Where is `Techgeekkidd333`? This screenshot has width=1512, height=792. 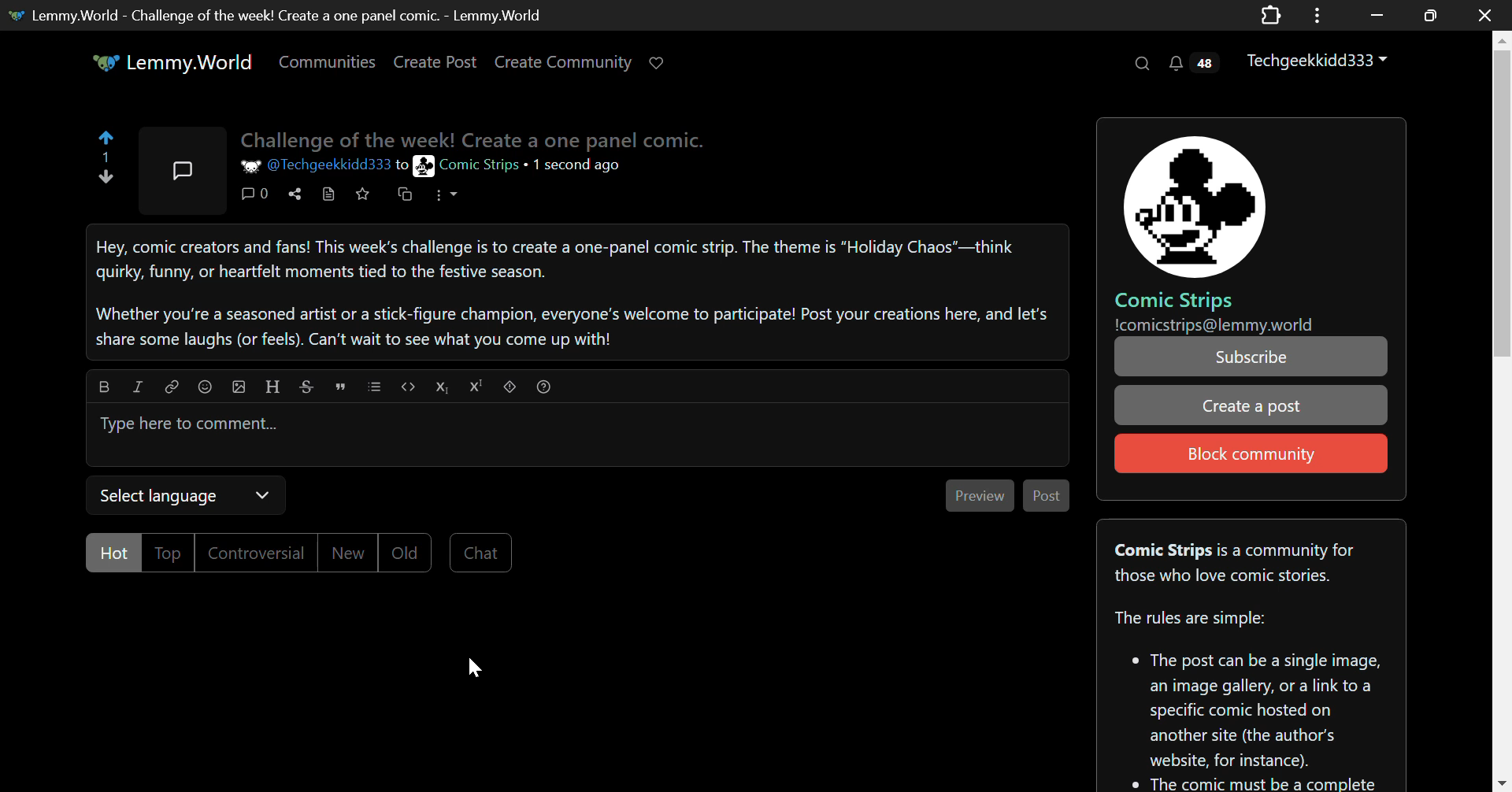 Techgeekkidd333 is located at coordinates (1320, 61).